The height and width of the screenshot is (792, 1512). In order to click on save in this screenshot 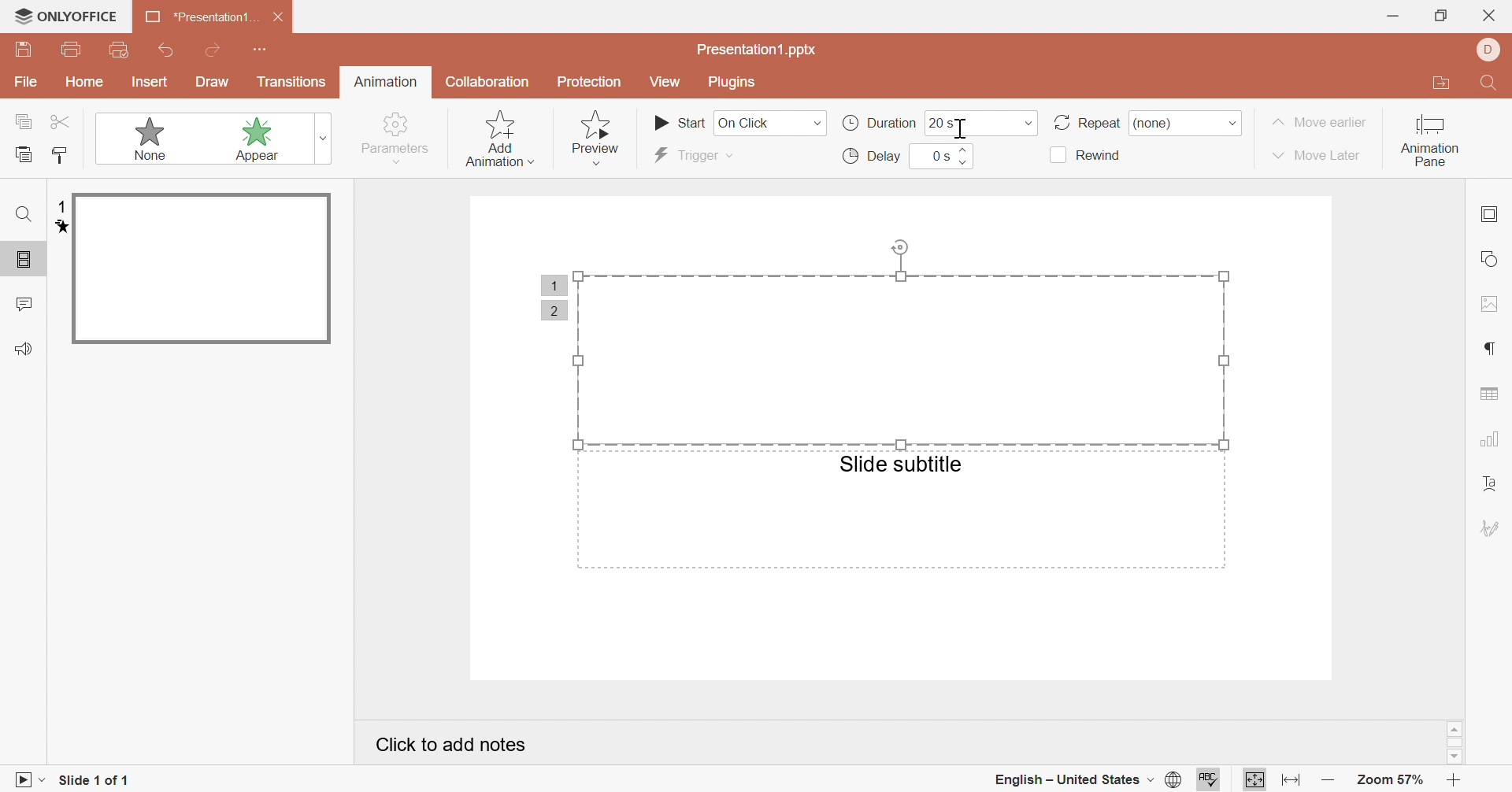, I will do `click(24, 49)`.